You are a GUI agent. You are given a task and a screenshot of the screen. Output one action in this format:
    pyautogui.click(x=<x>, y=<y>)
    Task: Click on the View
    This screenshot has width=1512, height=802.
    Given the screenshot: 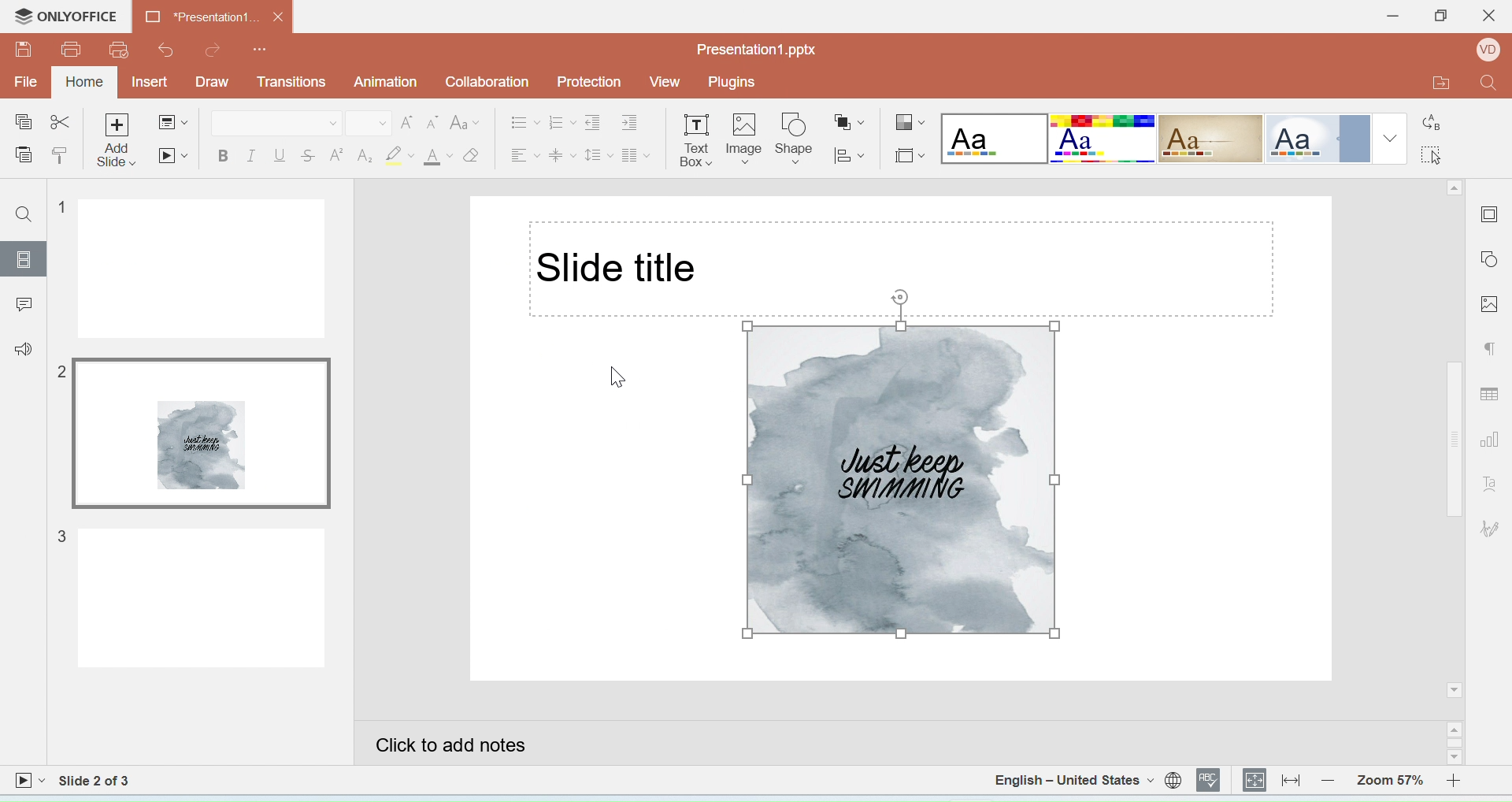 What is the action you would take?
    pyautogui.click(x=665, y=82)
    